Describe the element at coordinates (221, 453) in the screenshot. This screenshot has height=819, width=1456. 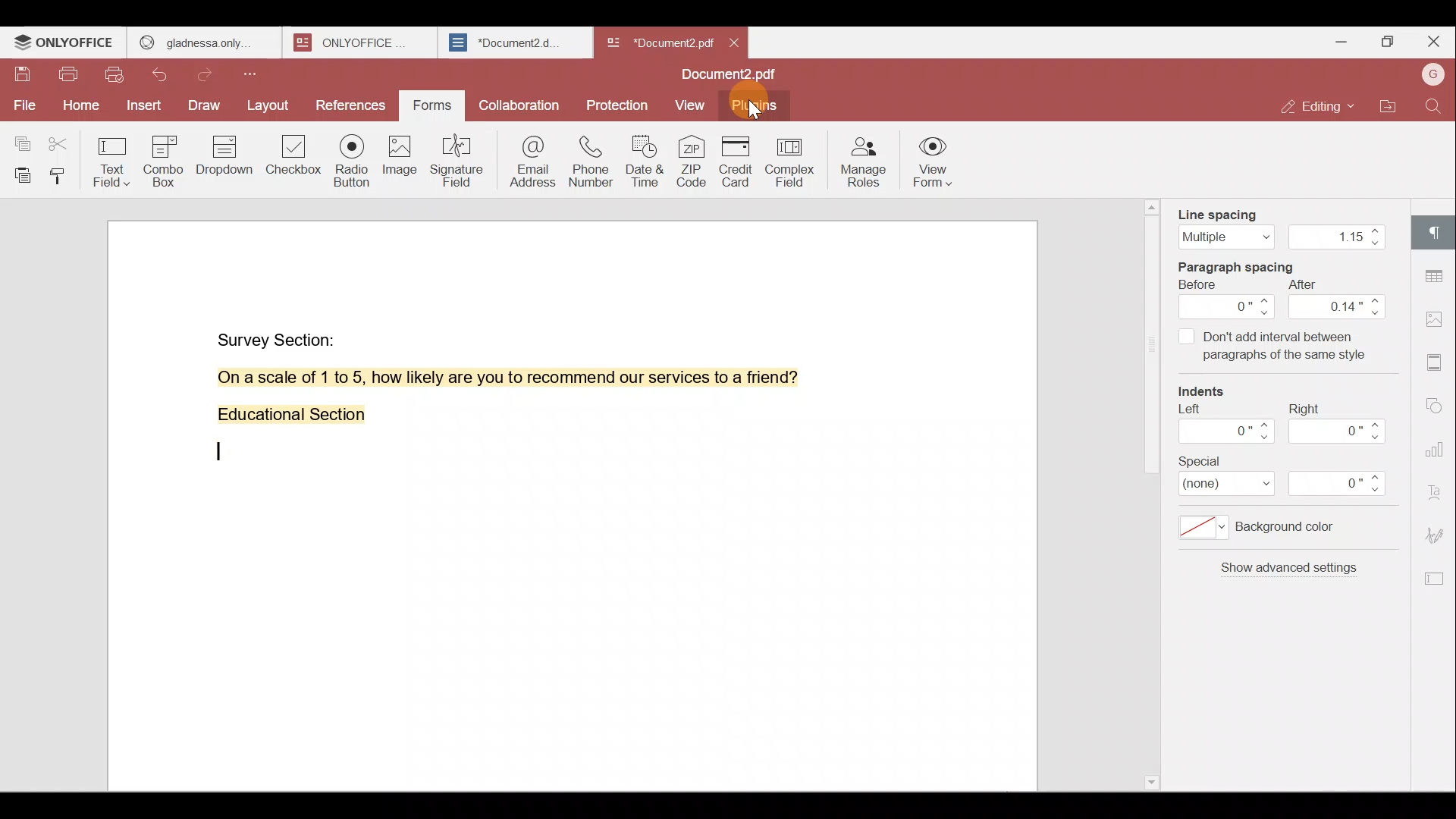
I see `text cursor` at that location.